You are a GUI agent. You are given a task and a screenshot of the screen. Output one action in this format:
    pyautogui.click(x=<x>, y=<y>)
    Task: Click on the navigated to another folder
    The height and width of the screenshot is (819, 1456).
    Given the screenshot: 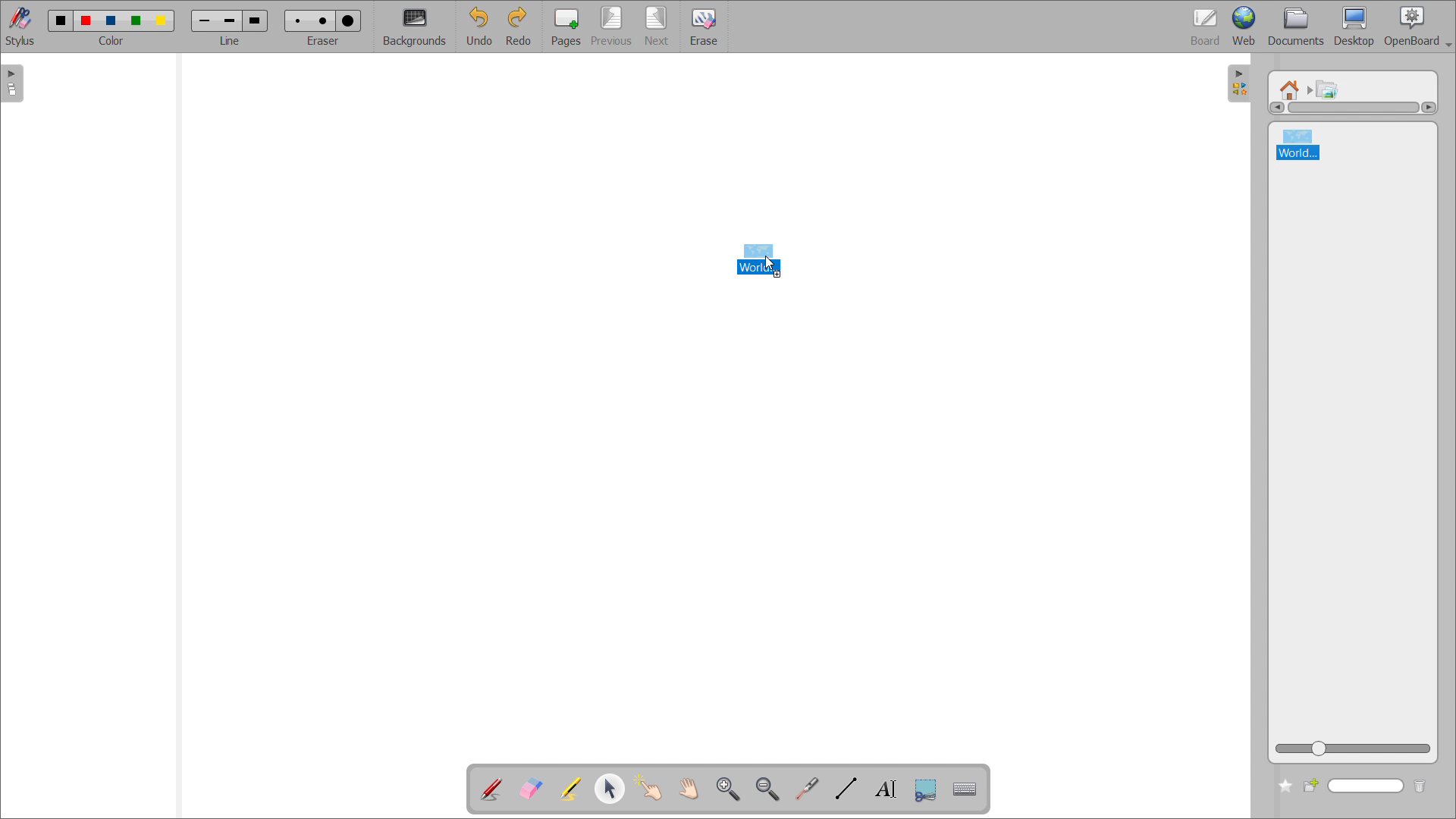 What is the action you would take?
    pyautogui.click(x=1310, y=89)
    